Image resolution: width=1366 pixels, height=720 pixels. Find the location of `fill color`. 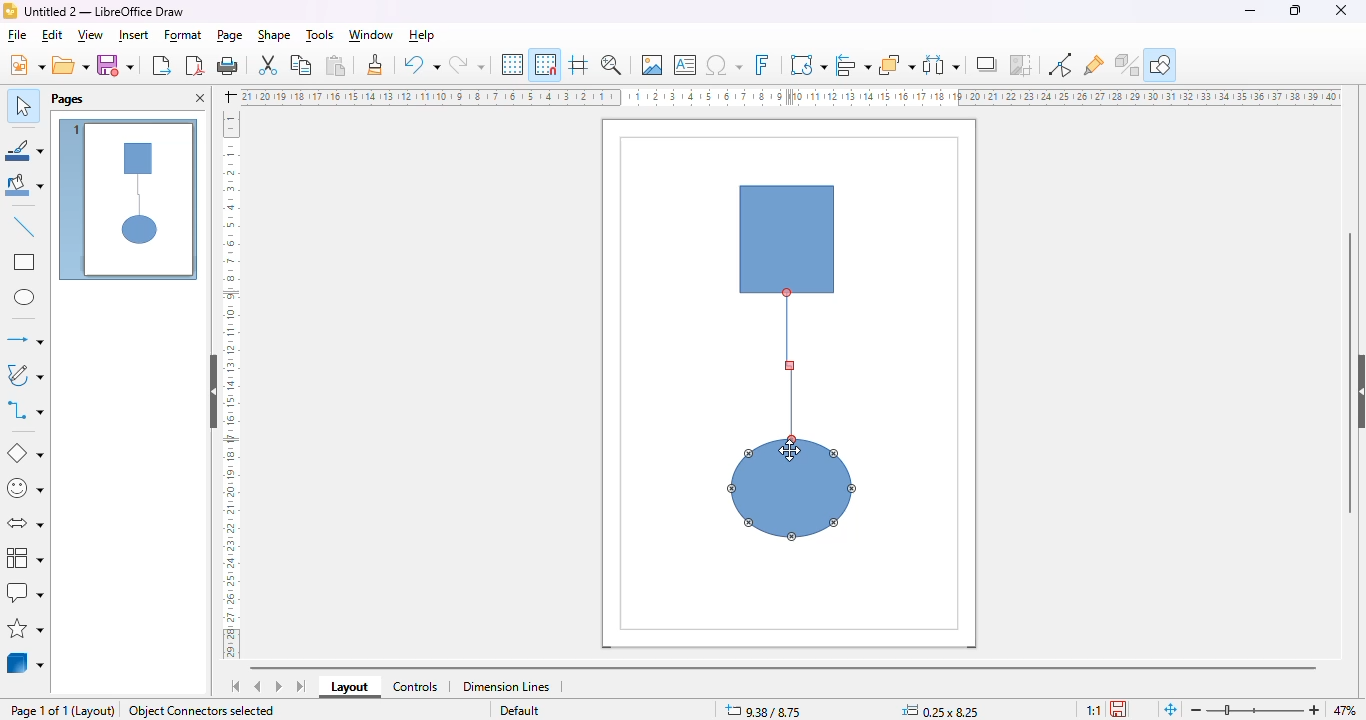

fill color is located at coordinates (25, 187).